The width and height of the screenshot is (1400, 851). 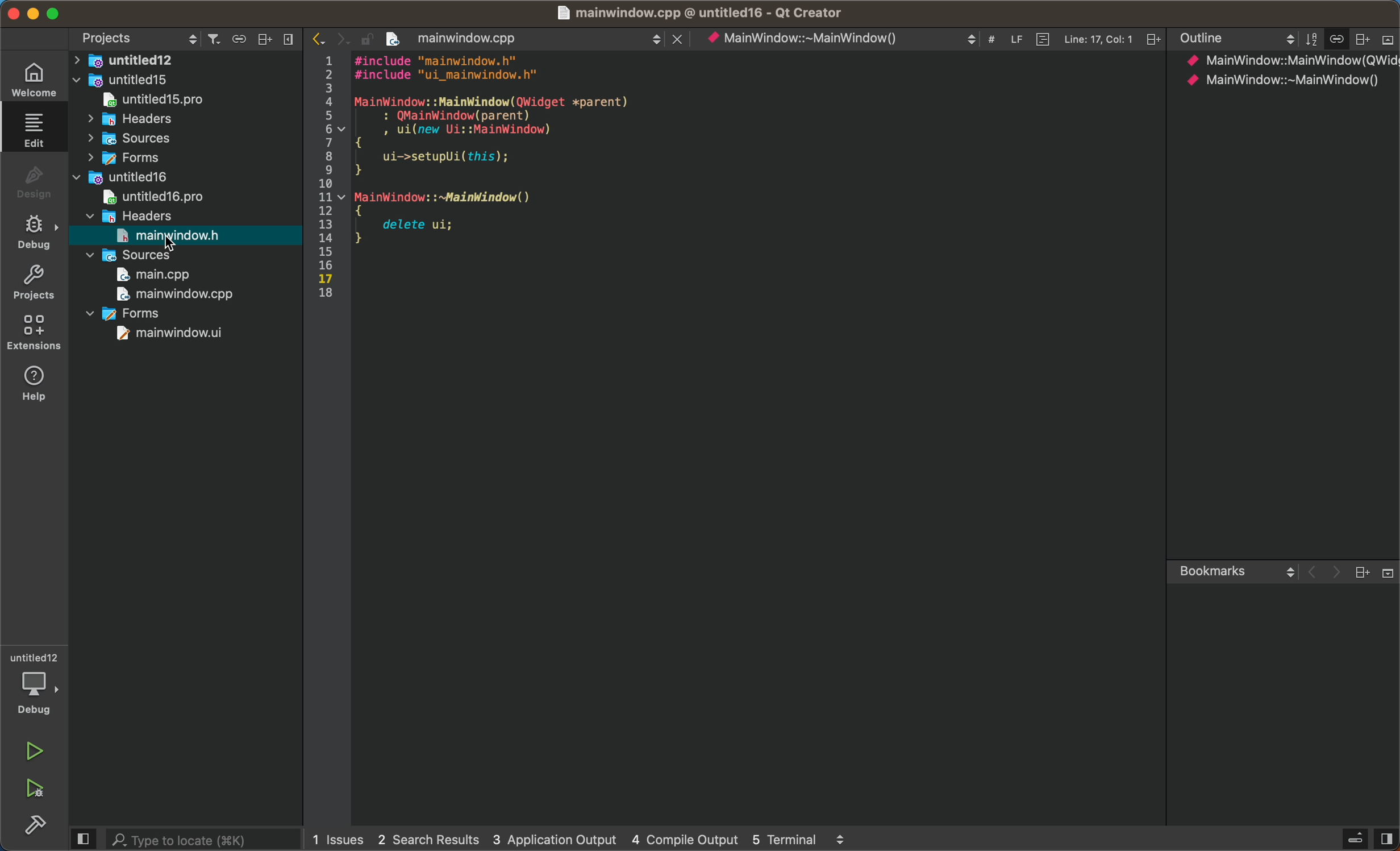 What do you see at coordinates (32, 230) in the screenshot?
I see `debug` at bounding box center [32, 230].